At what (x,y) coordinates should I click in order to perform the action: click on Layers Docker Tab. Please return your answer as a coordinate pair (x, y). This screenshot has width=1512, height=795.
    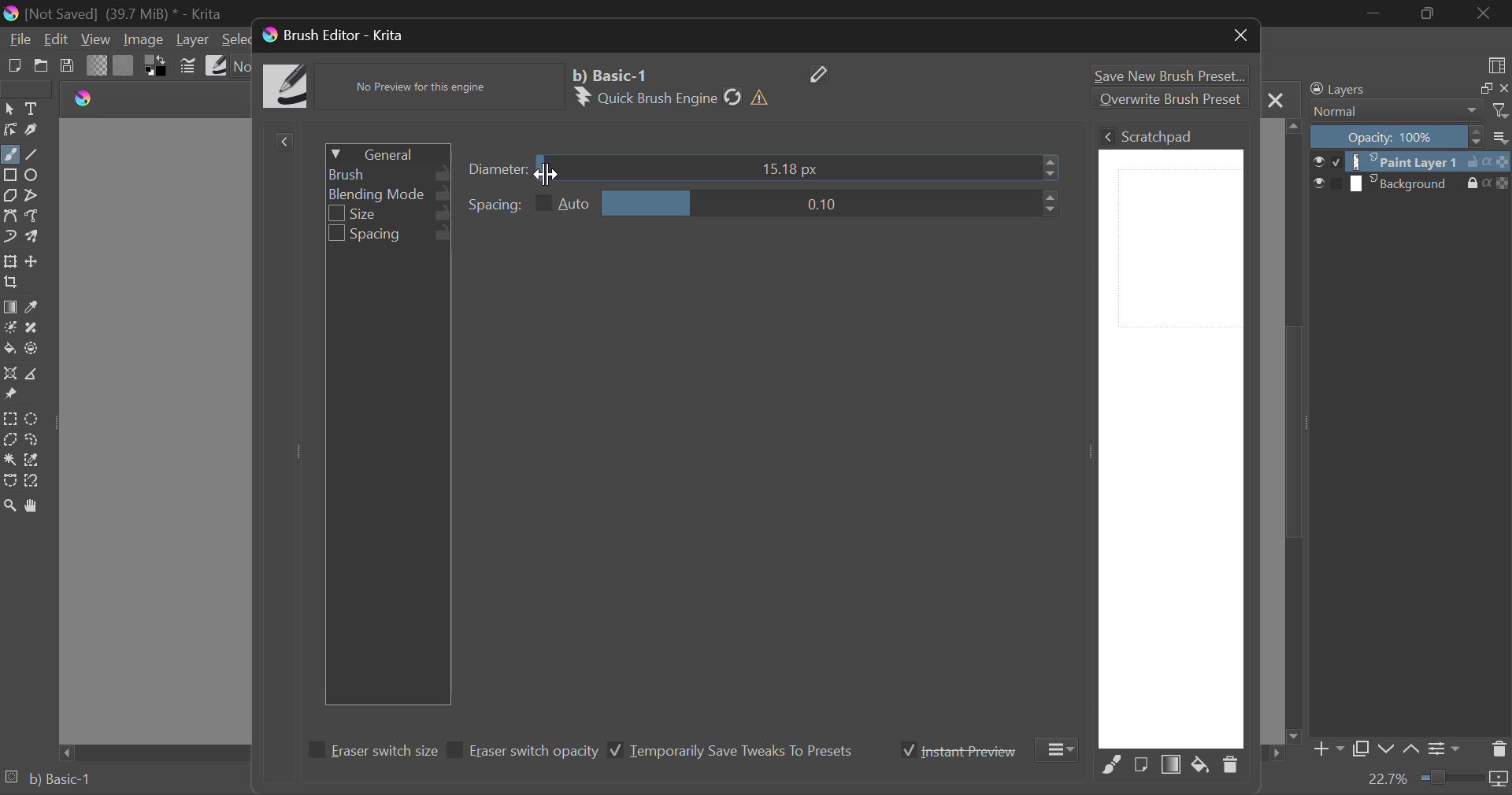
    Looking at the image, I should click on (1408, 89).